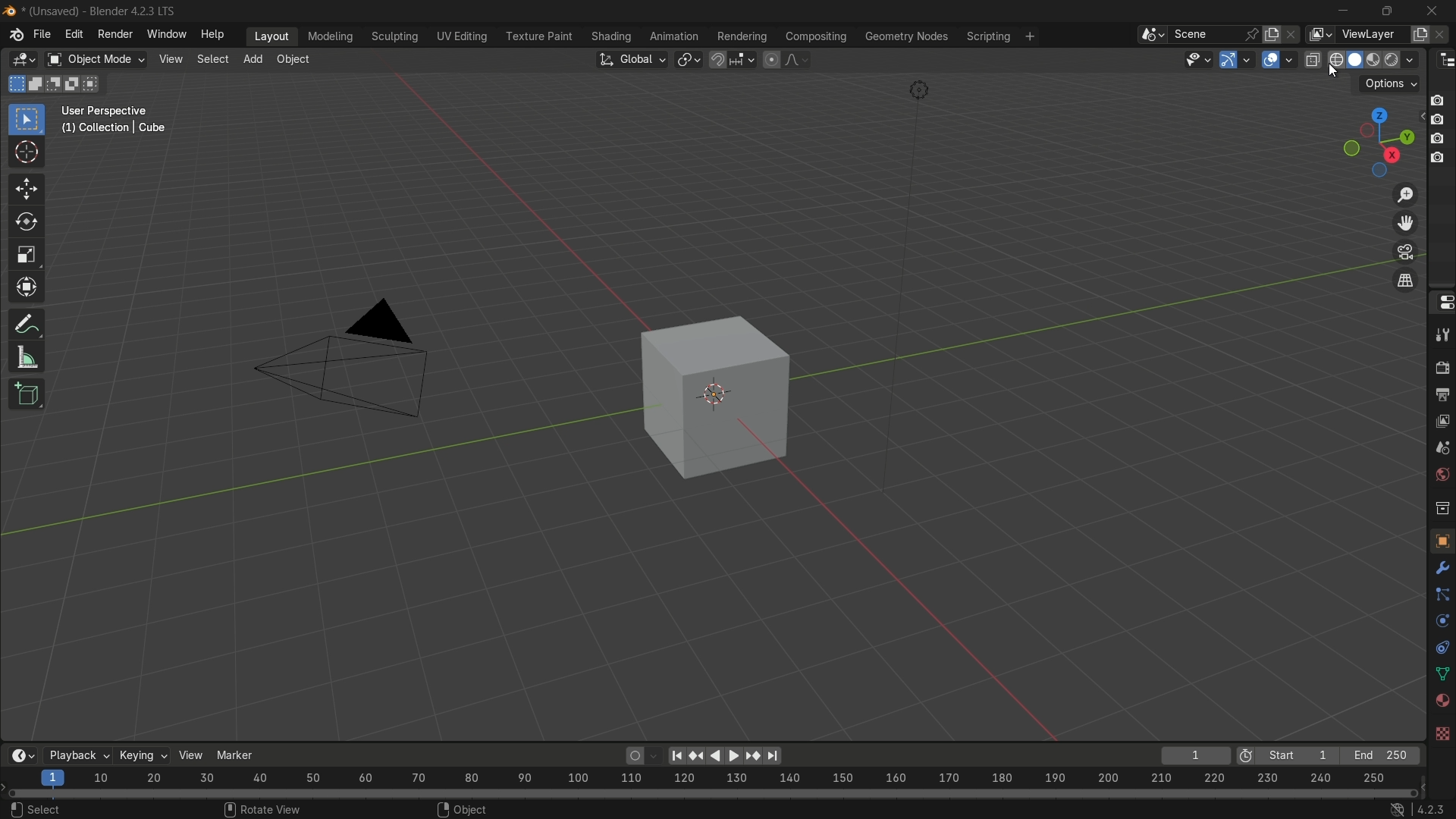 The image size is (1456, 819). Describe the element at coordinates (1336, 9) in the screenshot. I see `minimize` at that location.